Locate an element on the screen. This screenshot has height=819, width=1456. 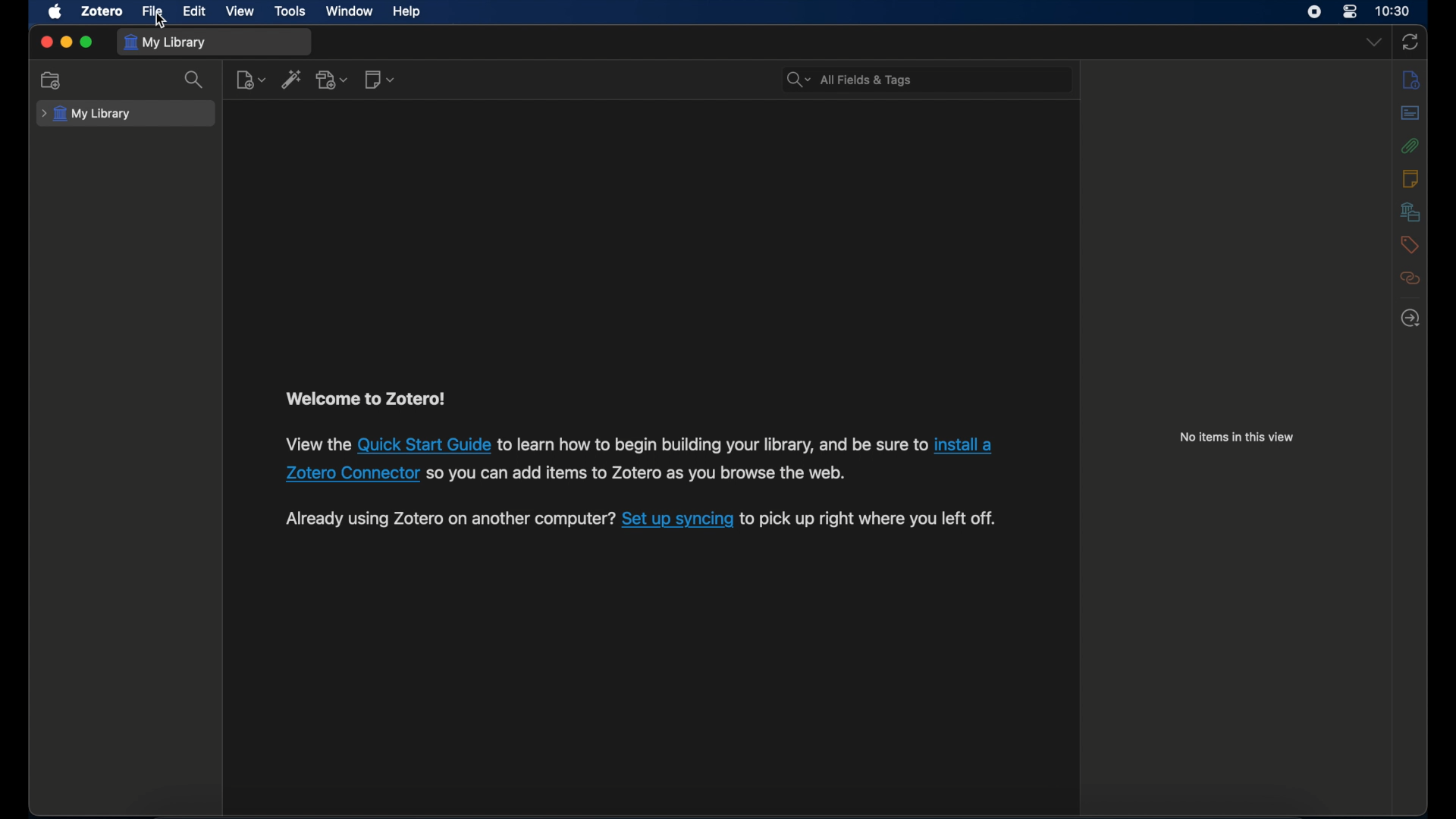
search is located at coordinates (194, 80).